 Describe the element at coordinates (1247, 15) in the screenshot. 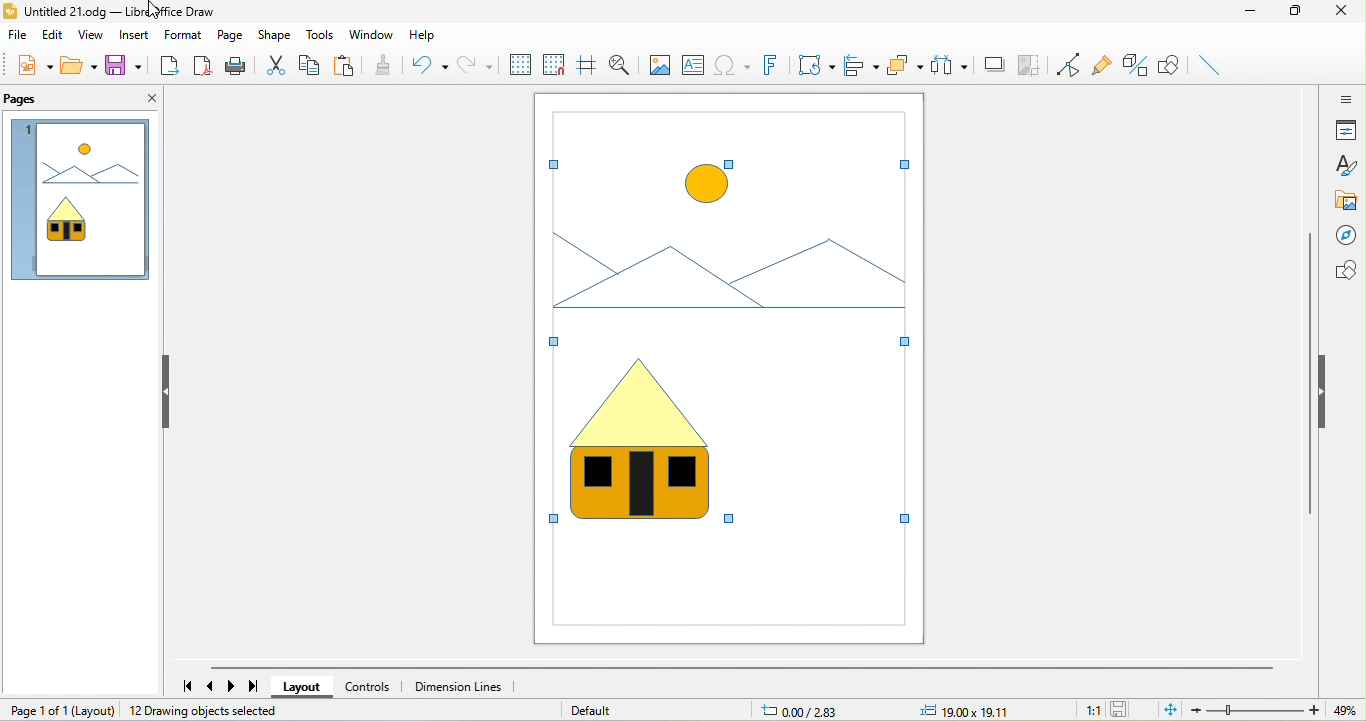

I see `minimize` at that location.